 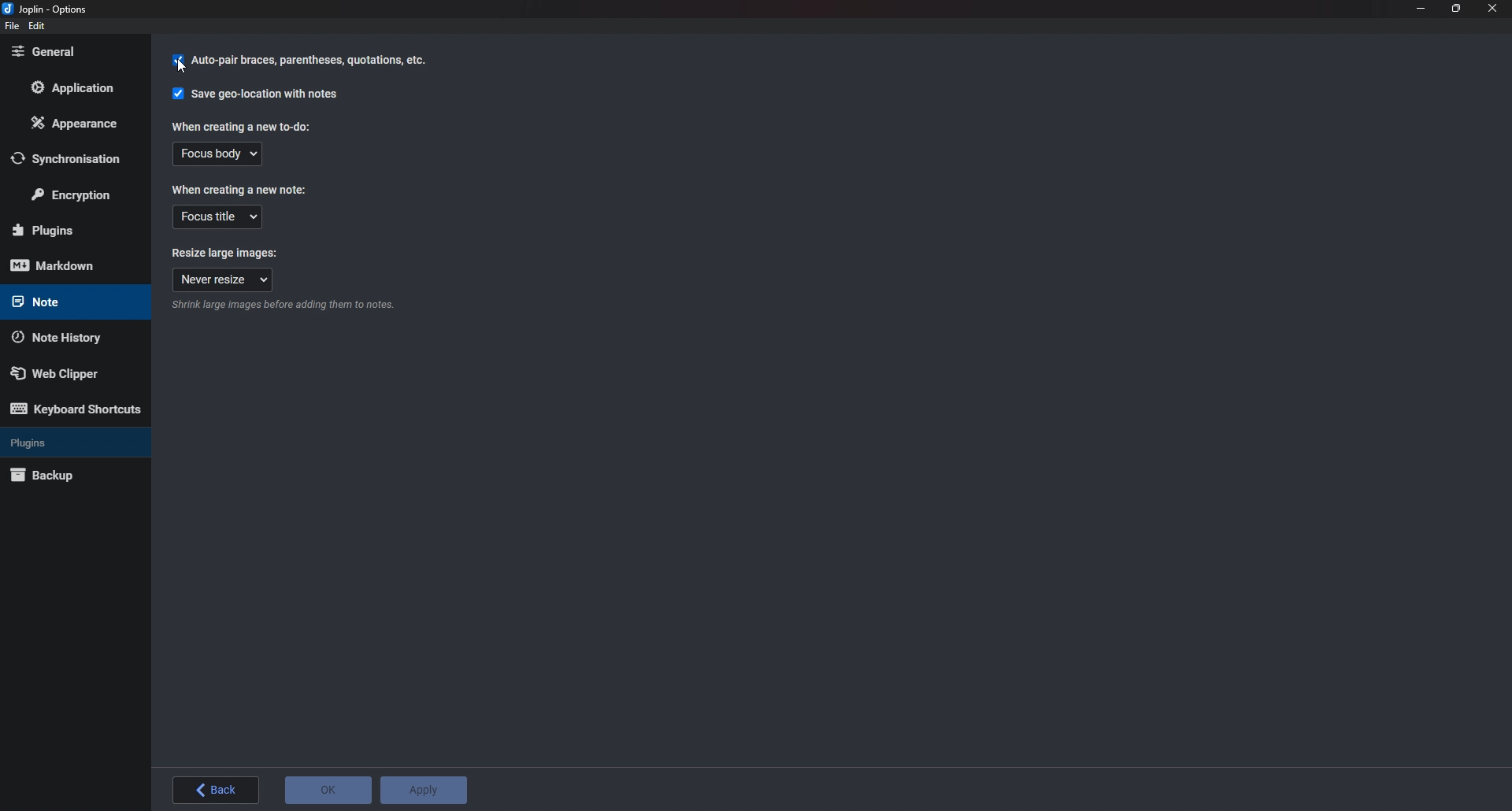 I want to click on info, so click(x=287, y=305).